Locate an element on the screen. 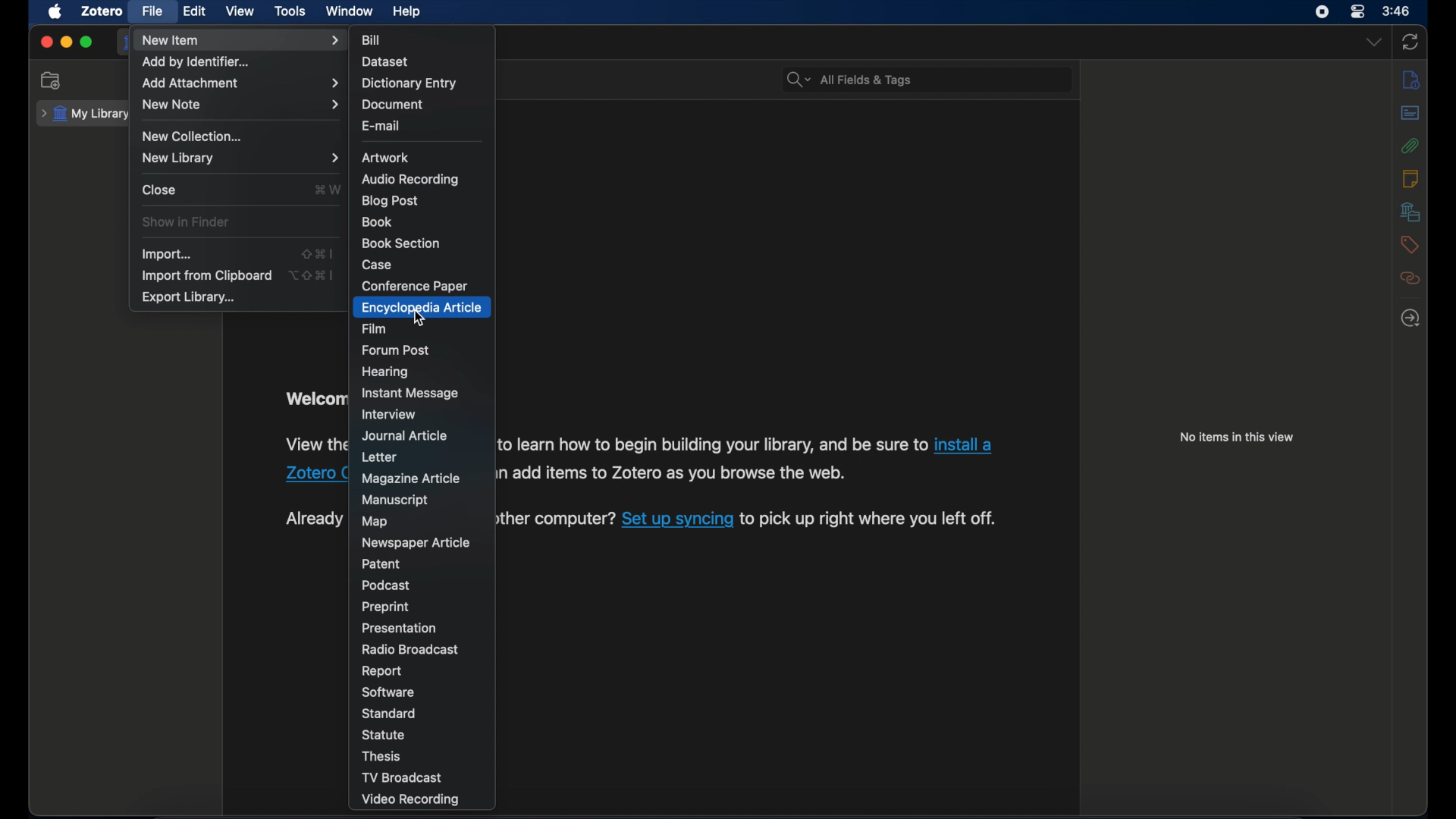 The height and width of the screenshot is (819, 1456). conference paper is located at coordinates (414, 287).